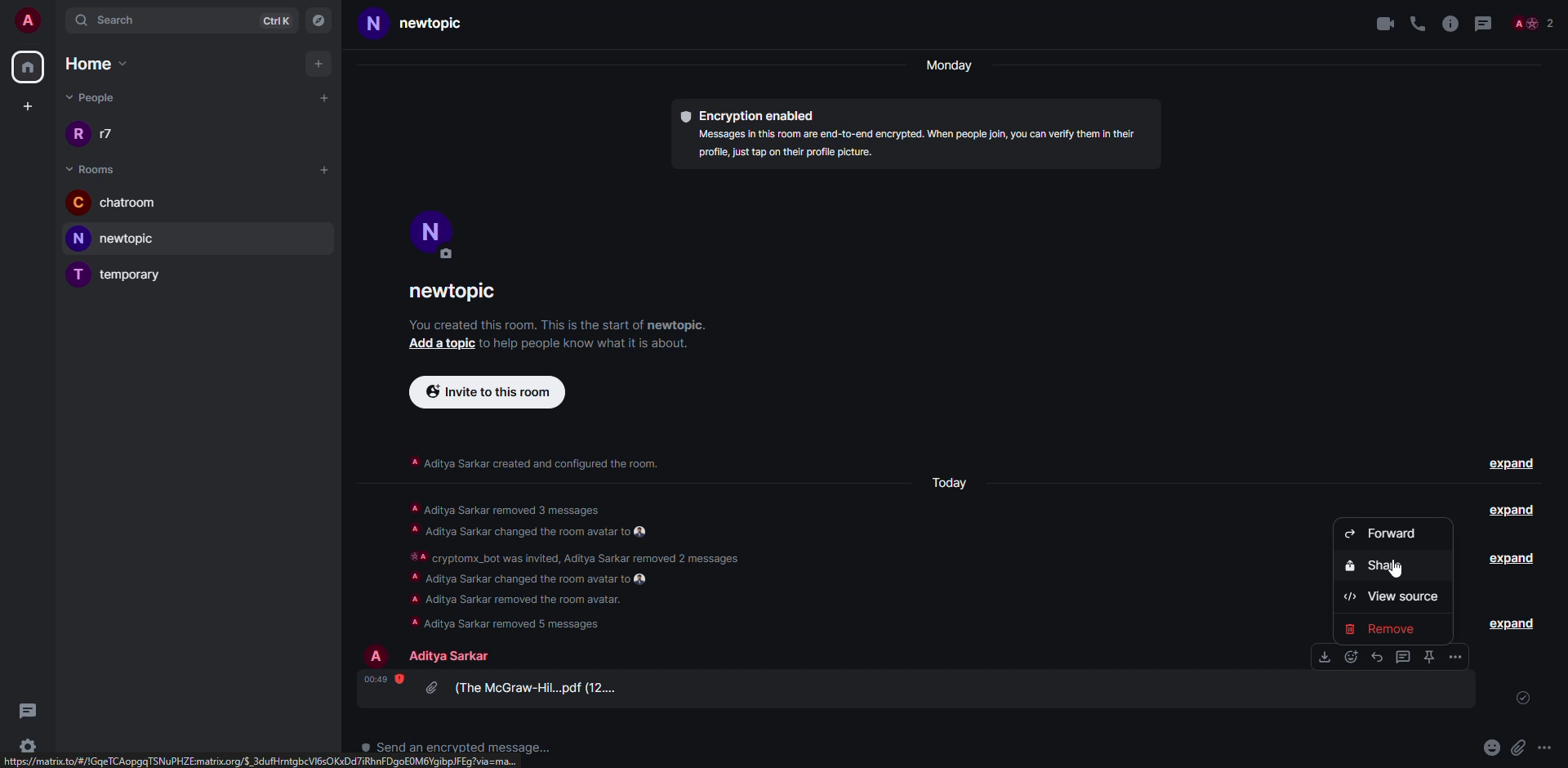 The image size is (1568, 768). Describe the element at coordinates (1391, 598) in the screenshot. I see `view source` at that location.